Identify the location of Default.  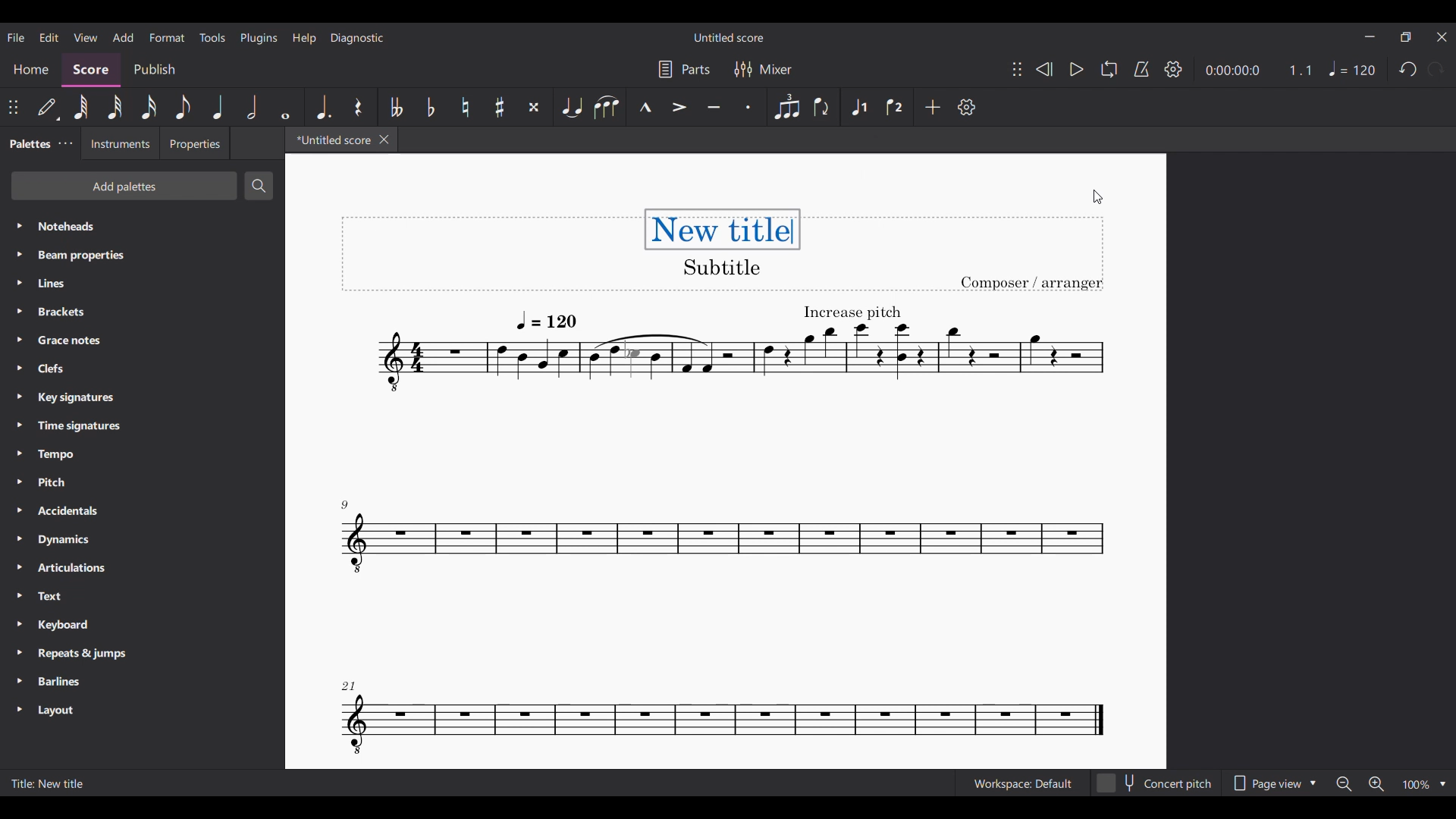
(49, 107).